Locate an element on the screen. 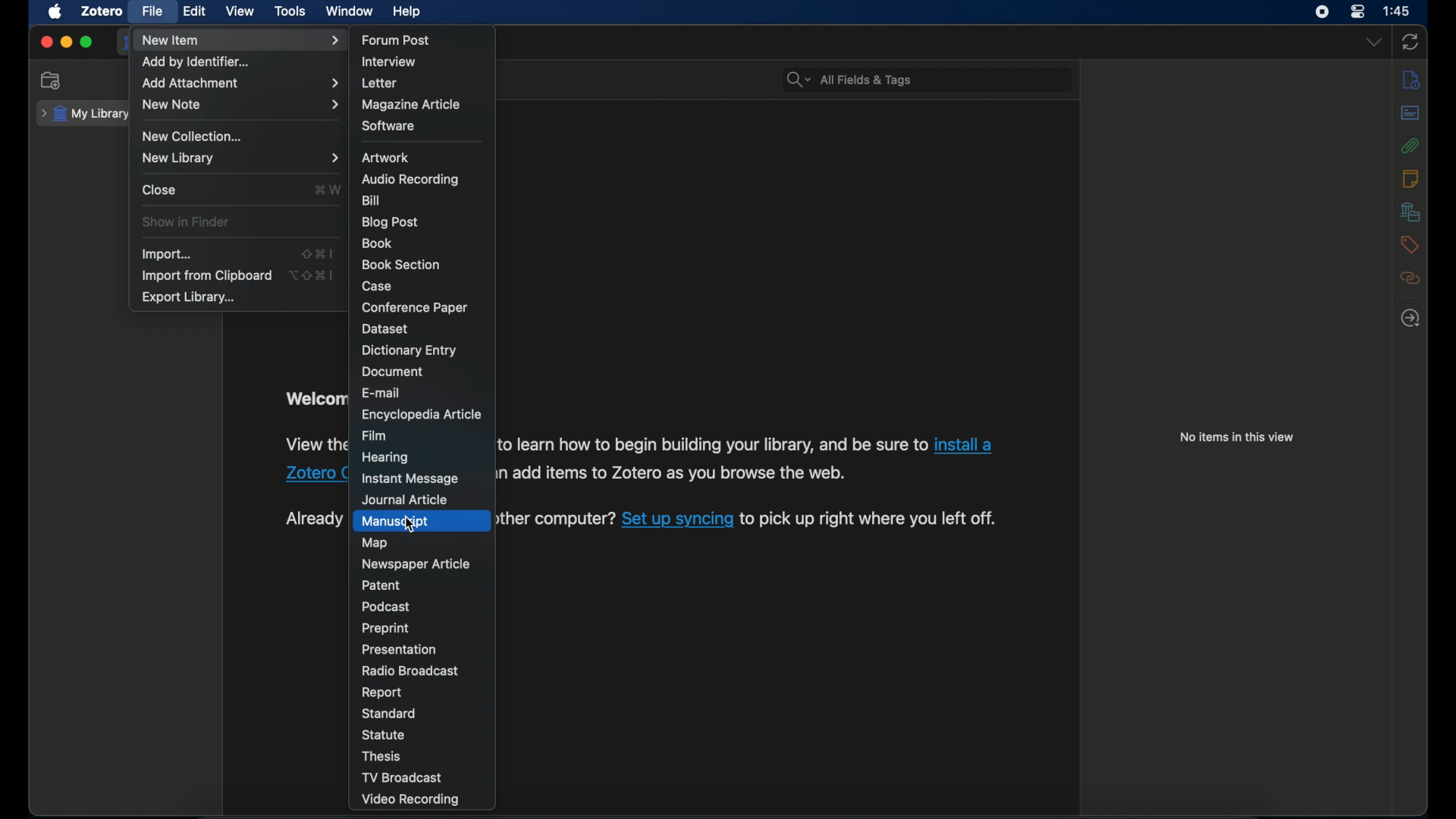 Image resolution: width=1456 pixels, height=819 pixels. search bar is located at coordinates (849, 80).